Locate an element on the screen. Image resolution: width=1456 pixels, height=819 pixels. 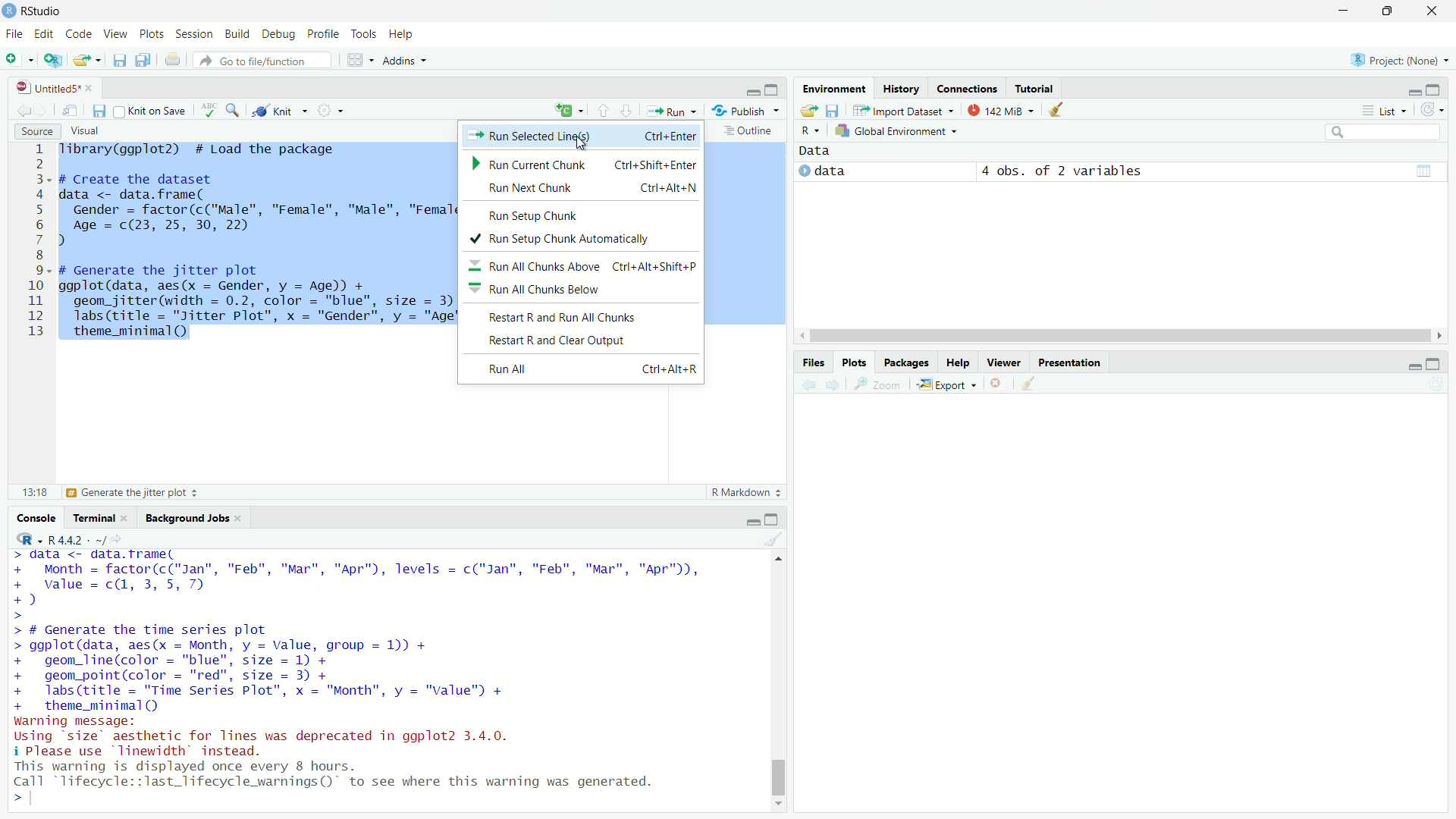
session is located at coordinates (193, 33).